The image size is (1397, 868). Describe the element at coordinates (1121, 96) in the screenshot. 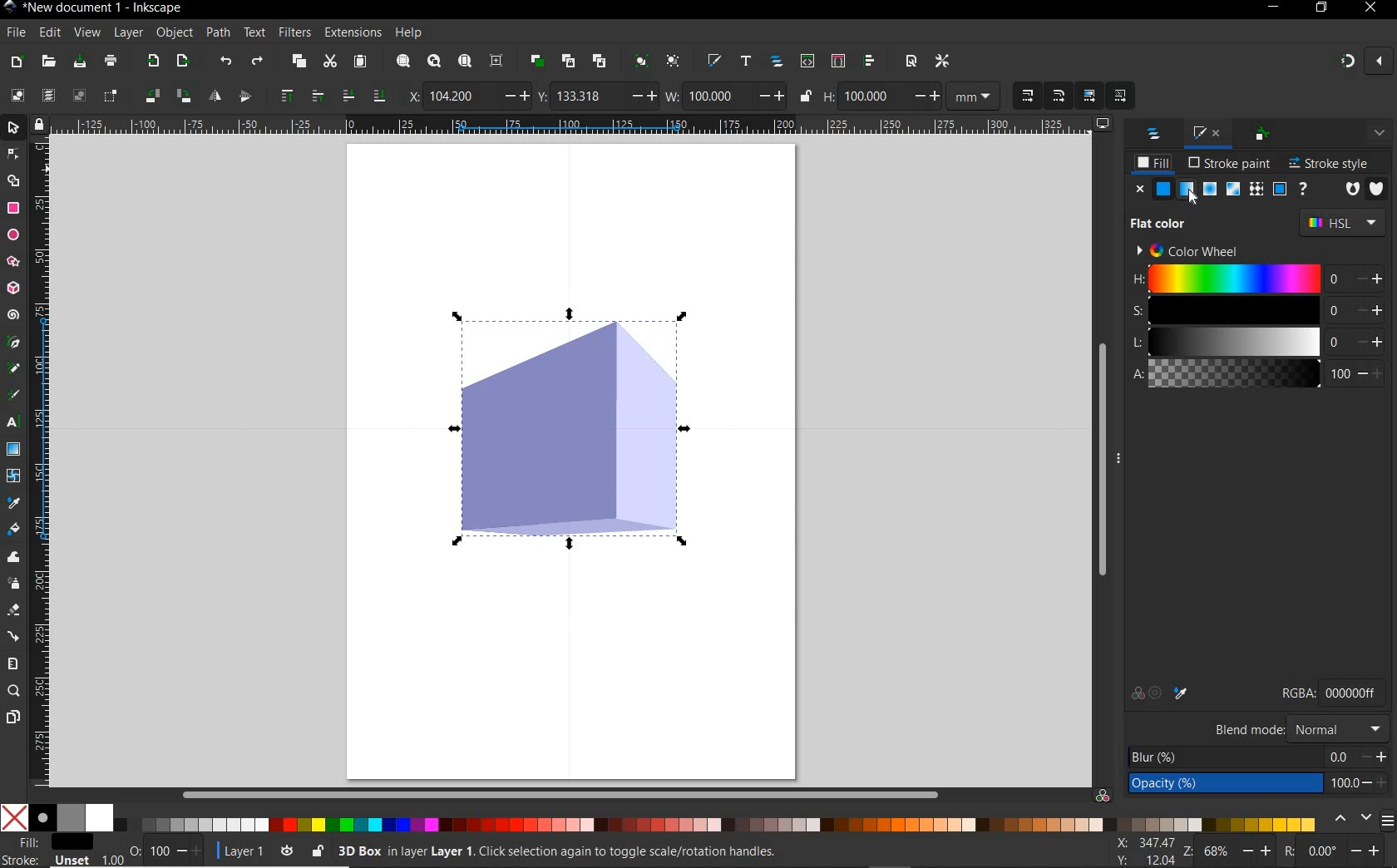

I see `MOVE PATTERNS` at that location.